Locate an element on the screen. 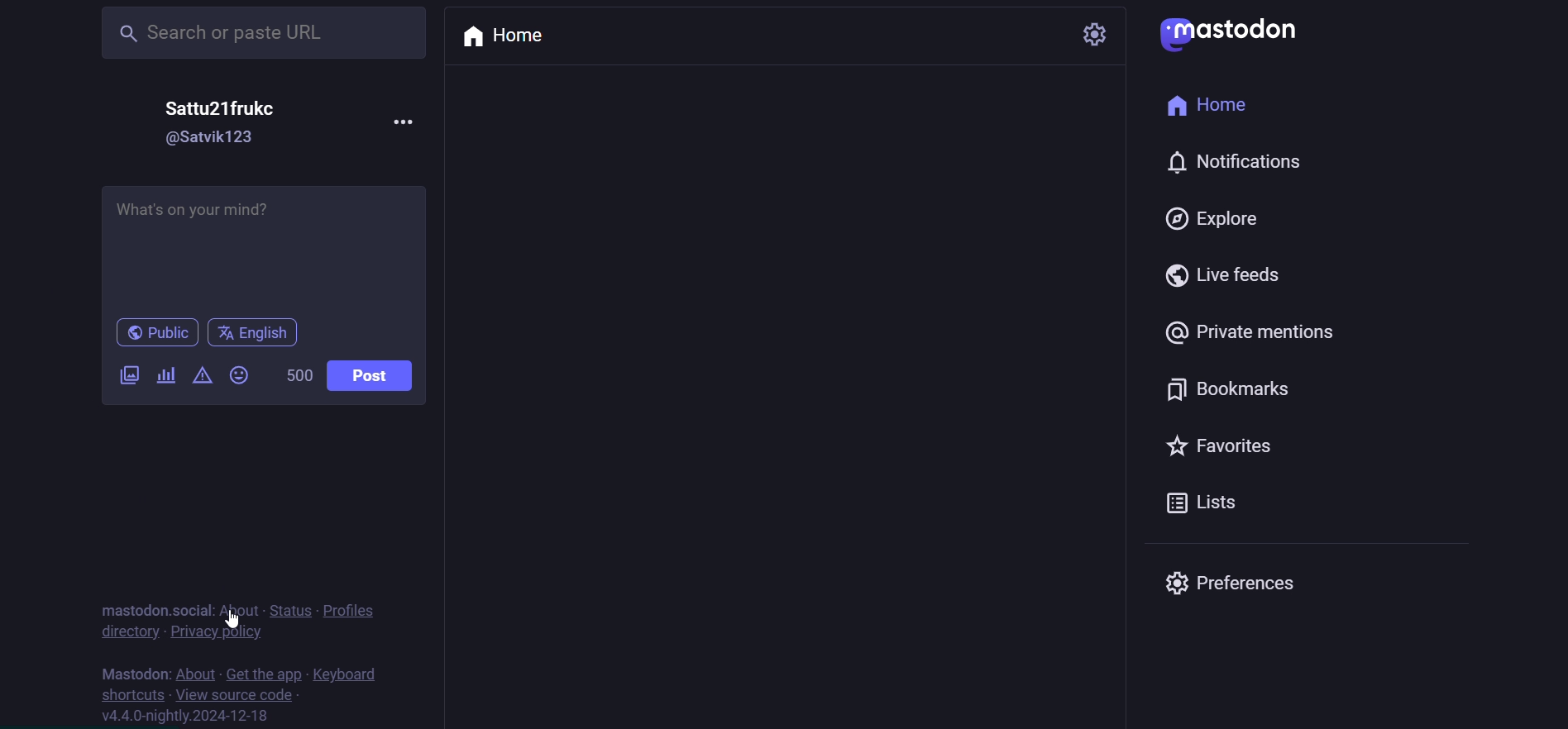 This screenshot has height=729, width=1568. privacy policy is located at coordinates (218, 631).